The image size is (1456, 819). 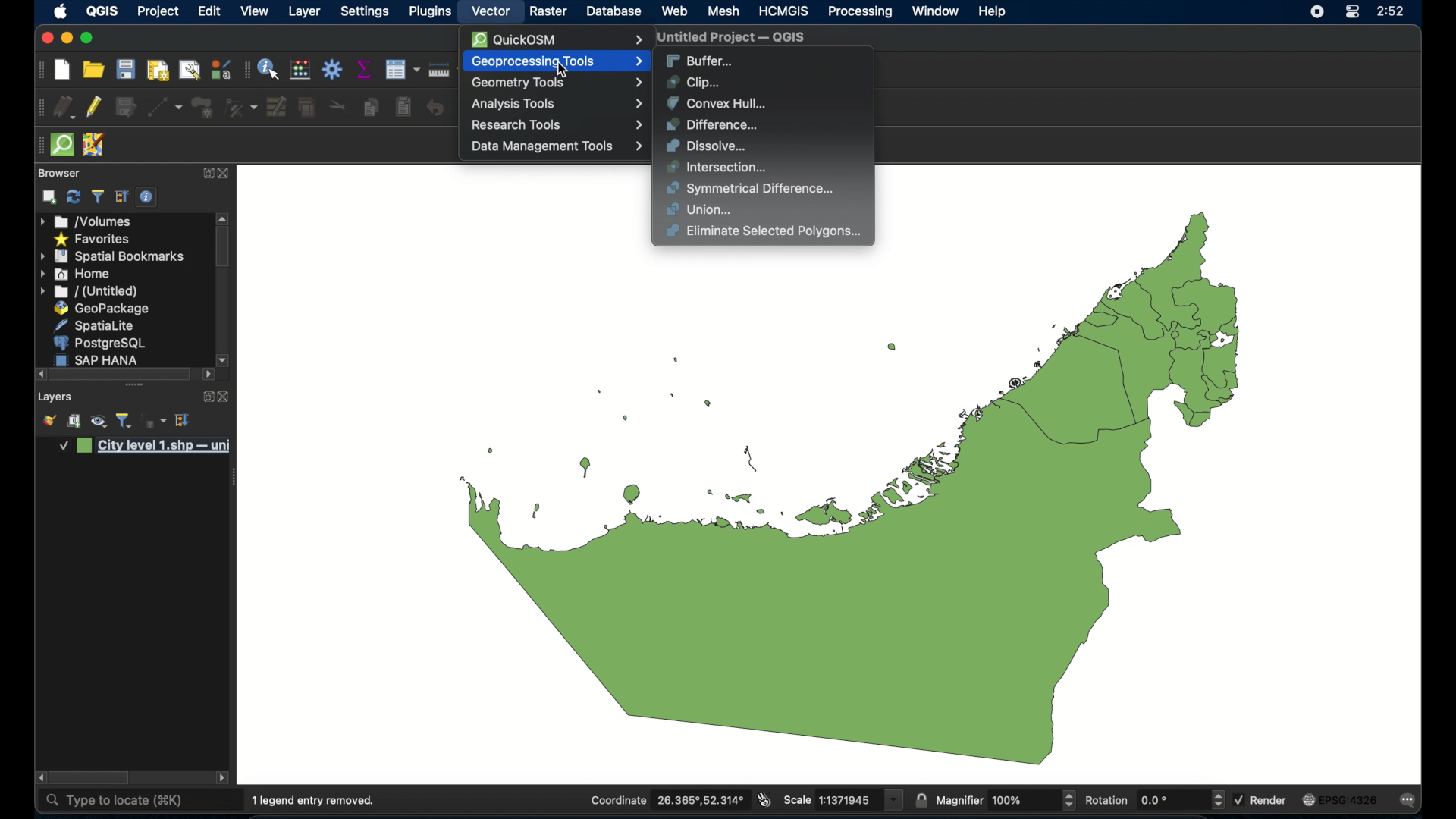 I want to click on expand all, so click(x=122, y=197).